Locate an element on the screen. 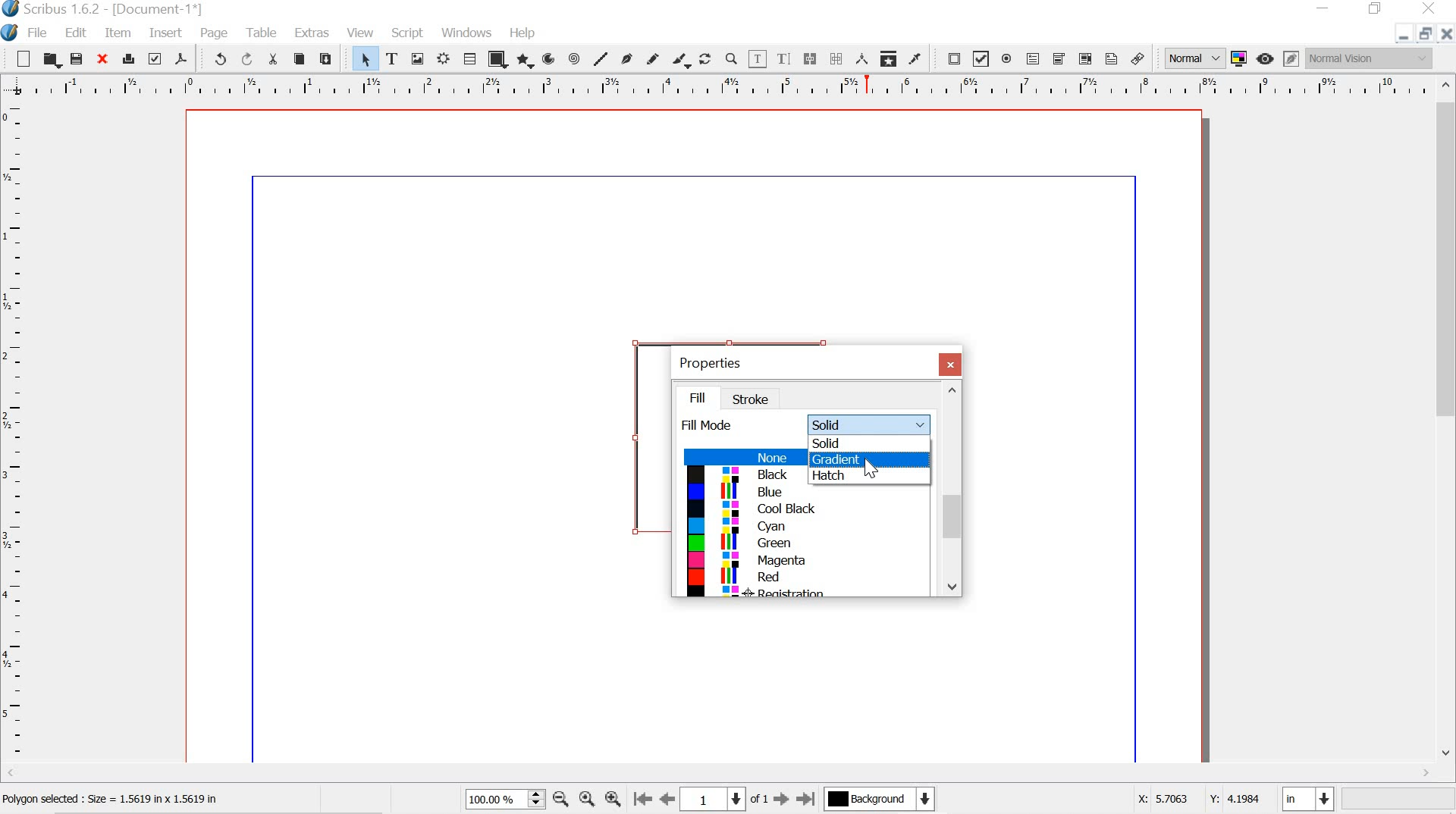 Image resolution: width=1456 pixels, height=814 pixels. close is located at coordinates (1446, 36).